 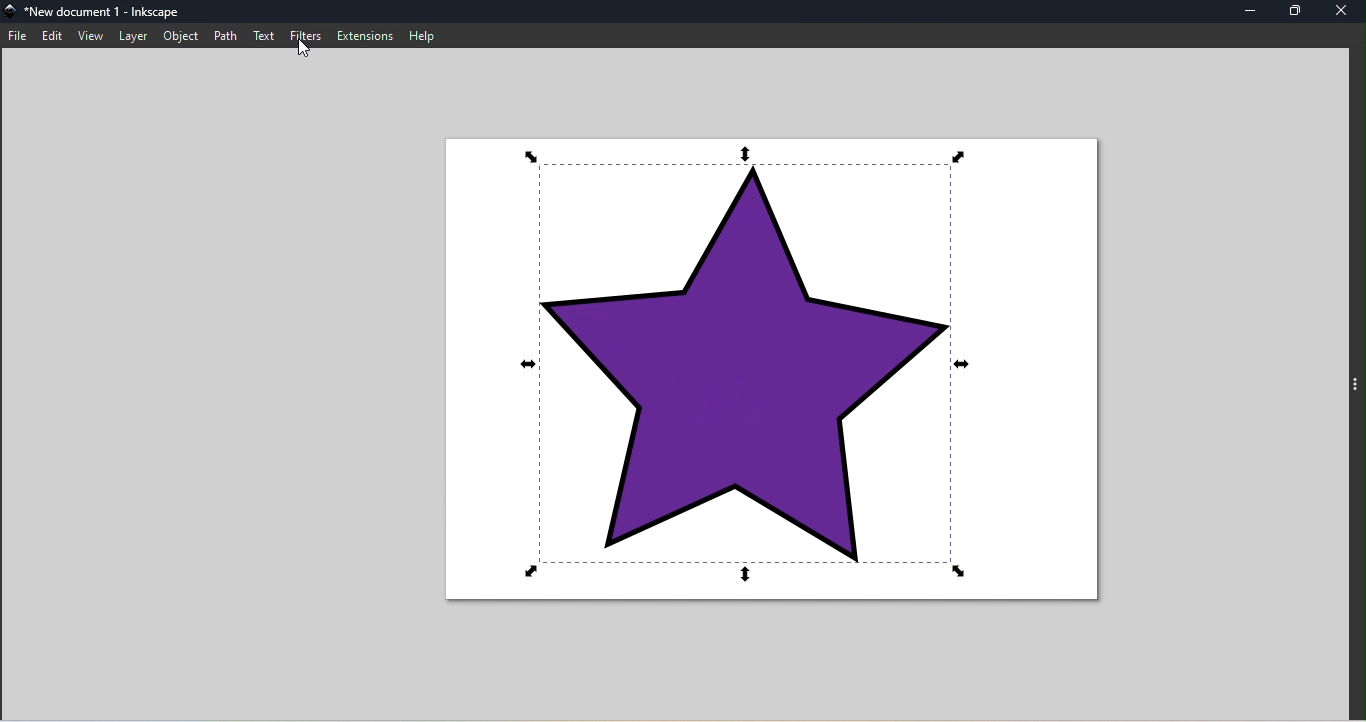 What do you see at coordinates (425, 37) in the screenshot?
I see `Help` at bounding box center [425, 37].